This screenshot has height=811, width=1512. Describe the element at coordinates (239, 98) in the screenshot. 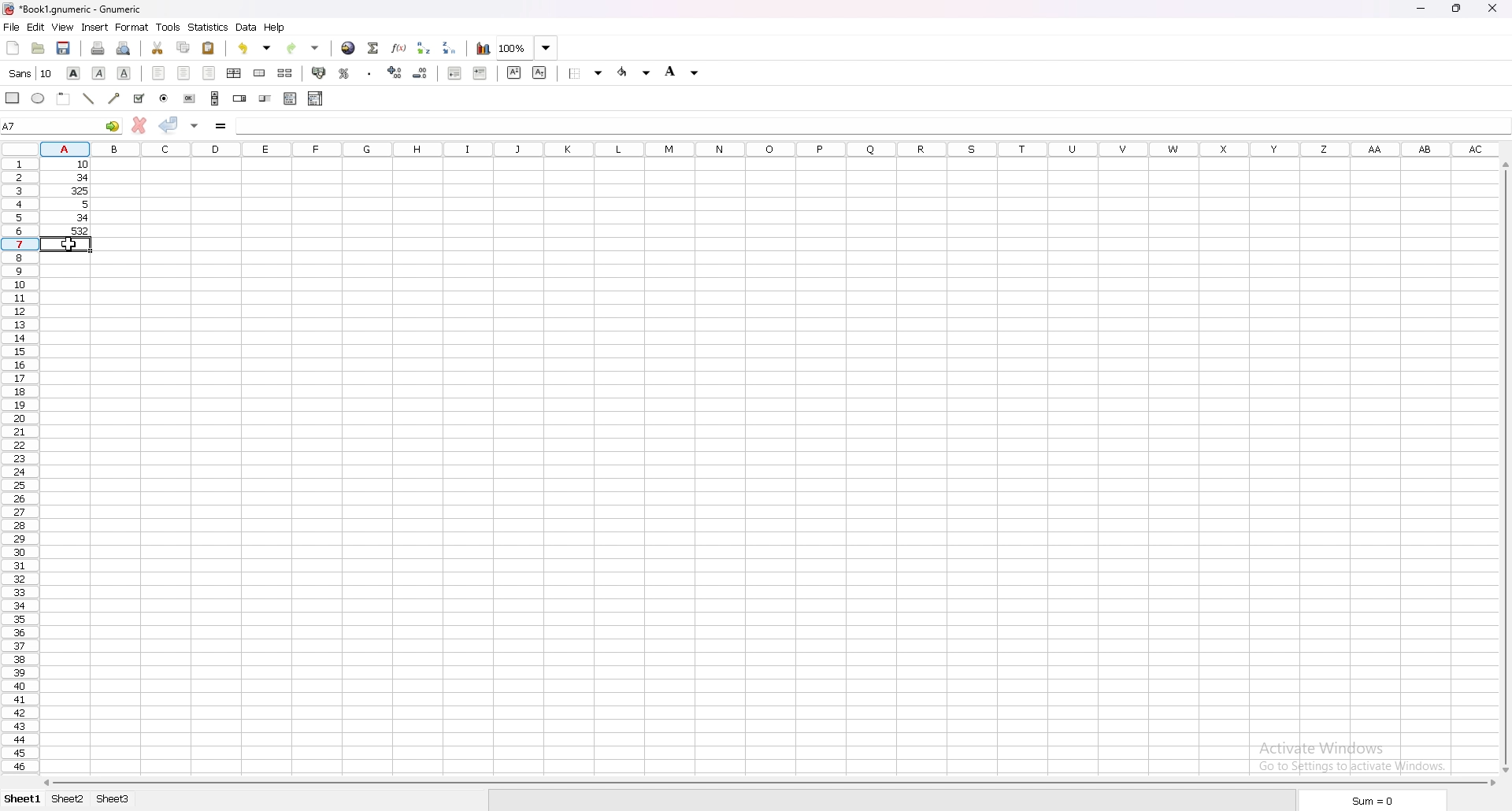

I see `spin button` at that location.